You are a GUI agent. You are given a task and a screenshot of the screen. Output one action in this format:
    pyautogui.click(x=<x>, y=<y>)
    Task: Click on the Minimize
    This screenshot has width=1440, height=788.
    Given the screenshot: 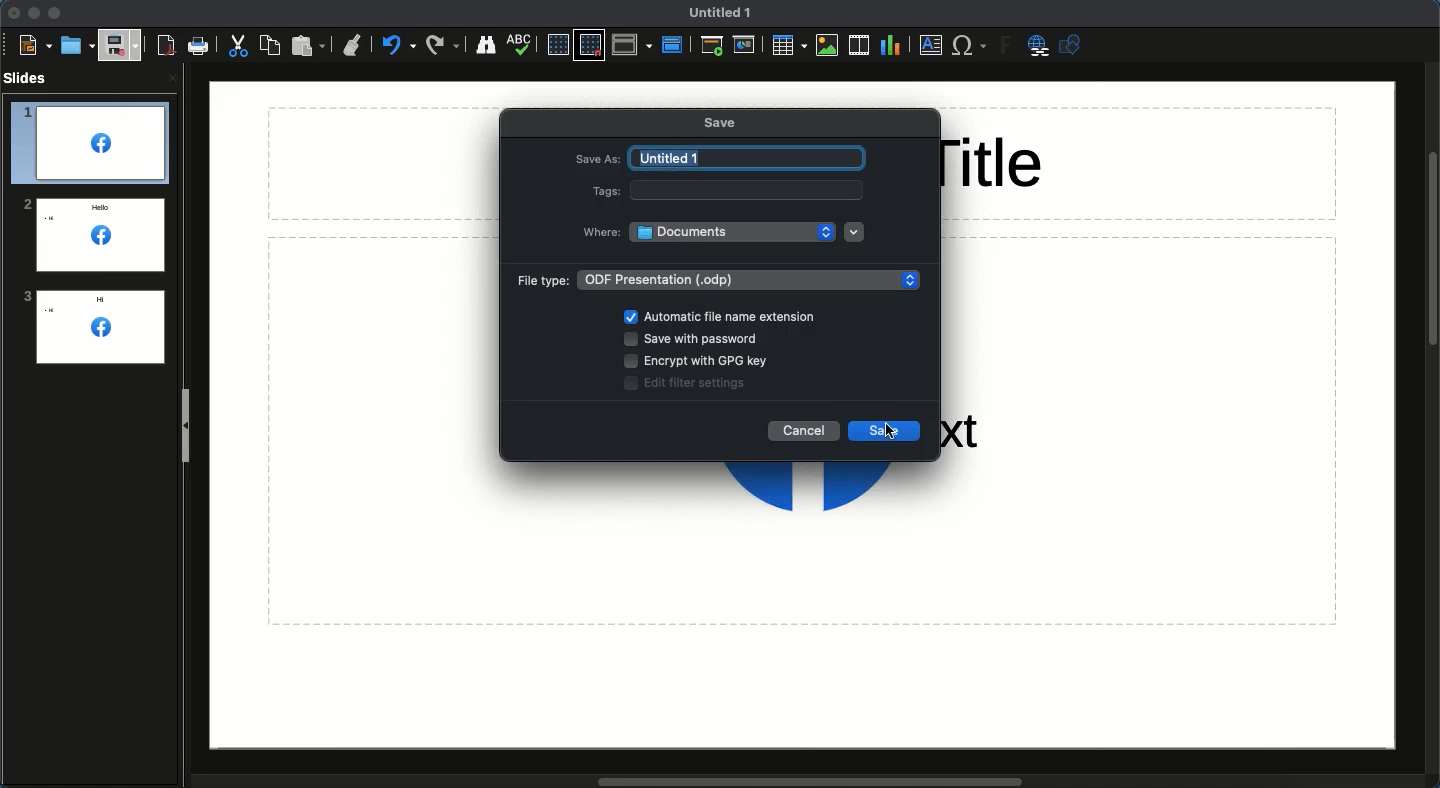 What is the action you would take?
    pyautogui.click(x=33, y=13)
    